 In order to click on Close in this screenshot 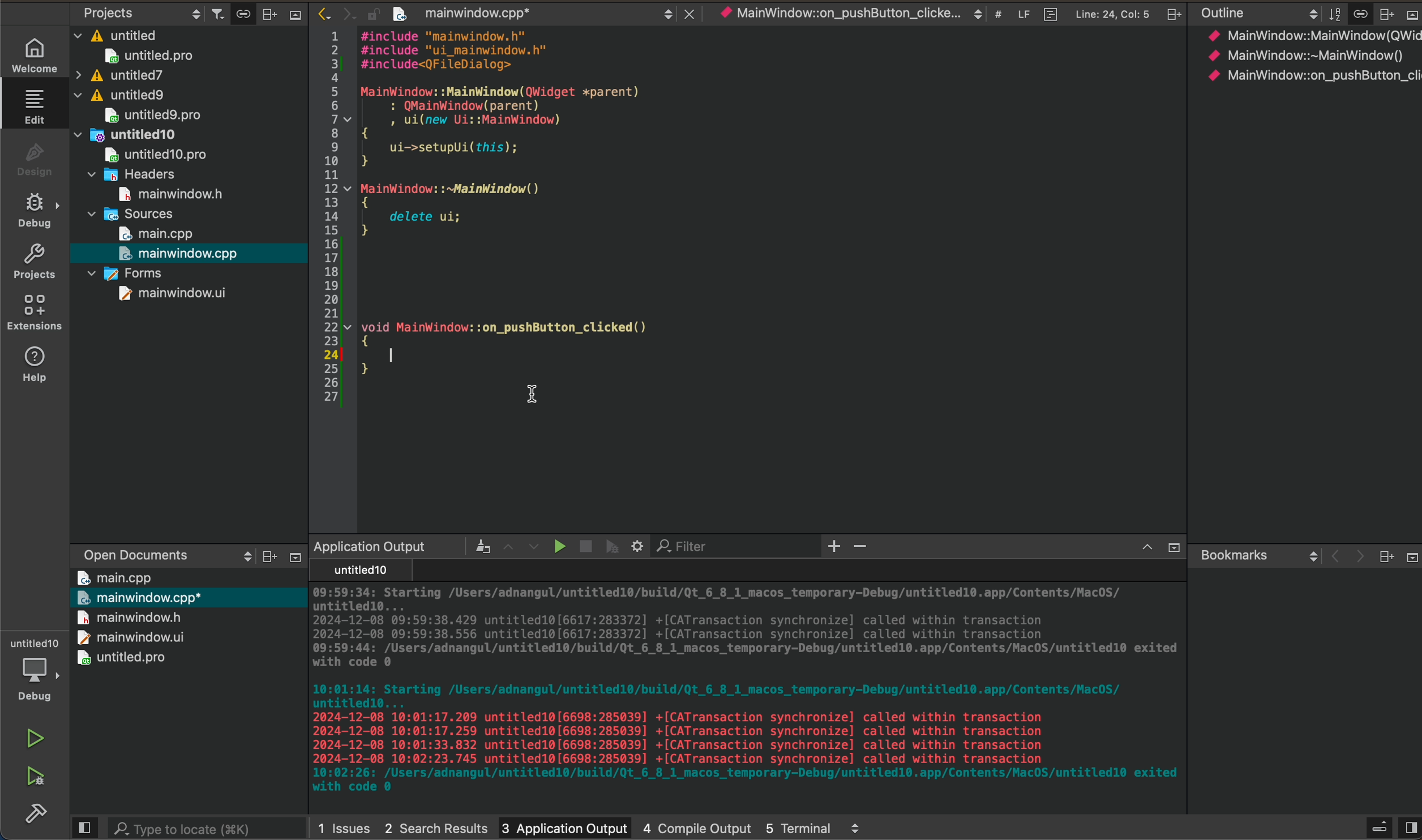, I will do `click(686, 11)`.